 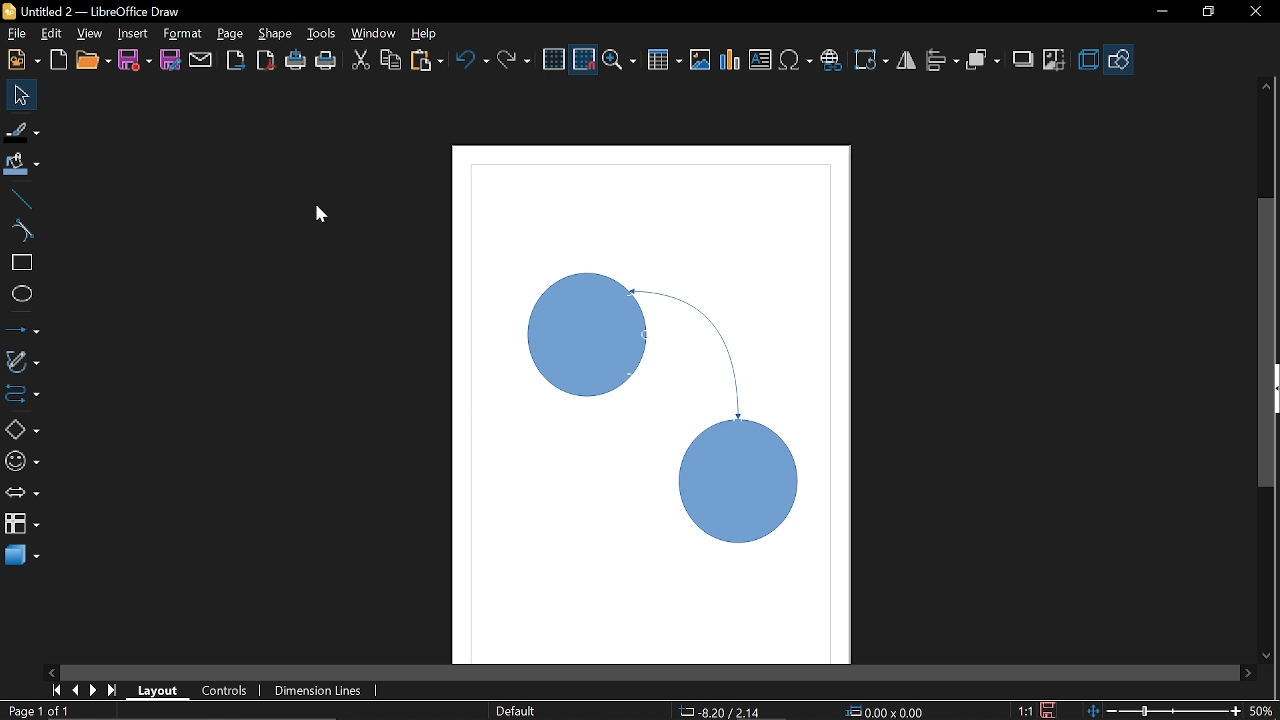 What do you see at coordinates (796, 61) in the screenshot?
I see `Insert symbol` at bounding box center [796, 61].